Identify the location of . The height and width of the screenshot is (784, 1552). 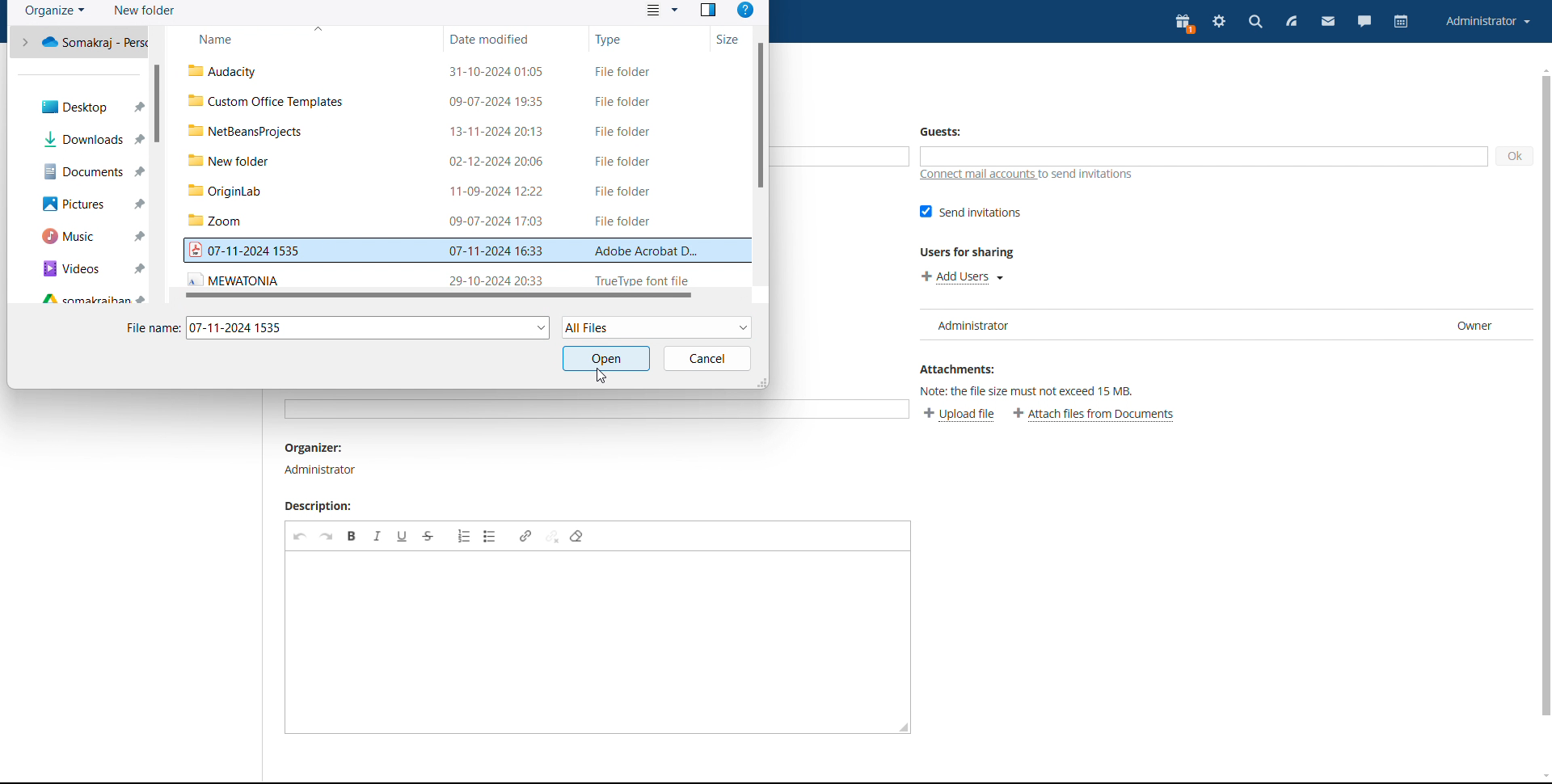
(708, 362).